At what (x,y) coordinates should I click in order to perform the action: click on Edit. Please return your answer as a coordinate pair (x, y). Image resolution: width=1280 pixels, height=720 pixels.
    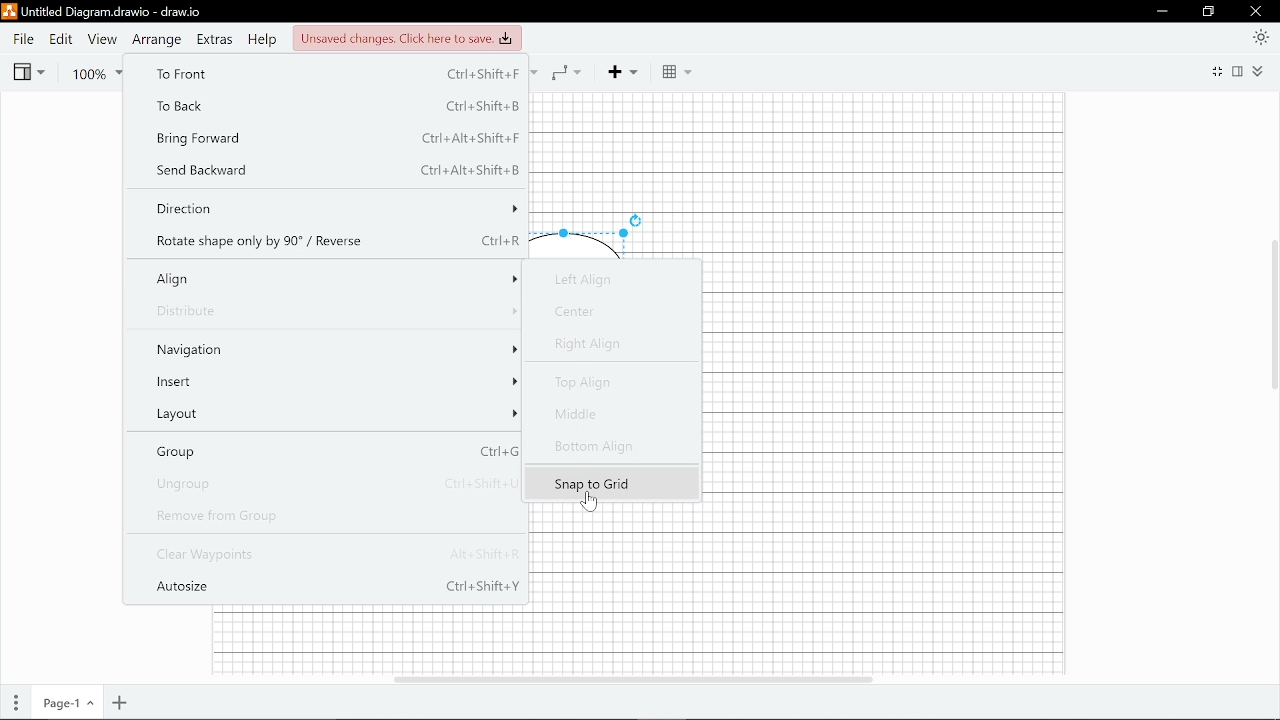
    Looking at the image, I should click on (61, 39).